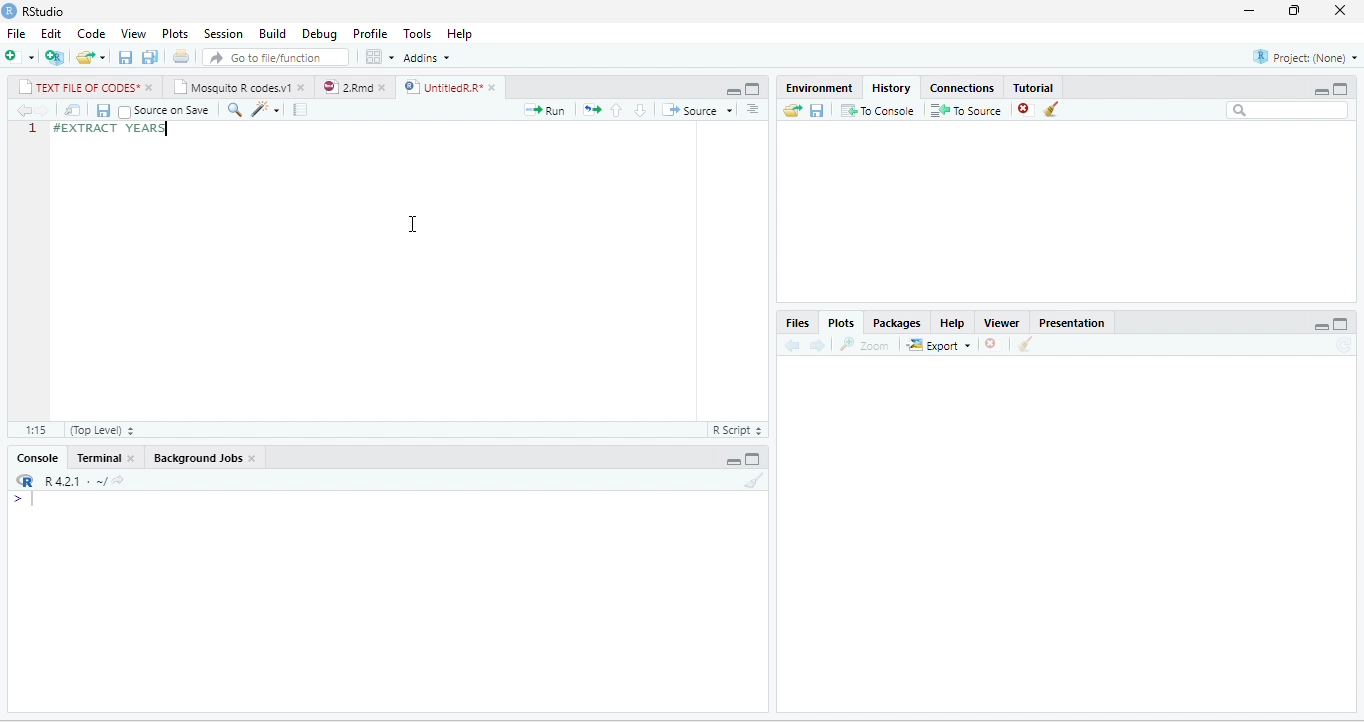 Image resolution: width=1364 pixels, height=722 pixels. What do you see at coordinates (1287, 111) in the screenshot?
I see `search bar` at bounding box center [1287, 111].